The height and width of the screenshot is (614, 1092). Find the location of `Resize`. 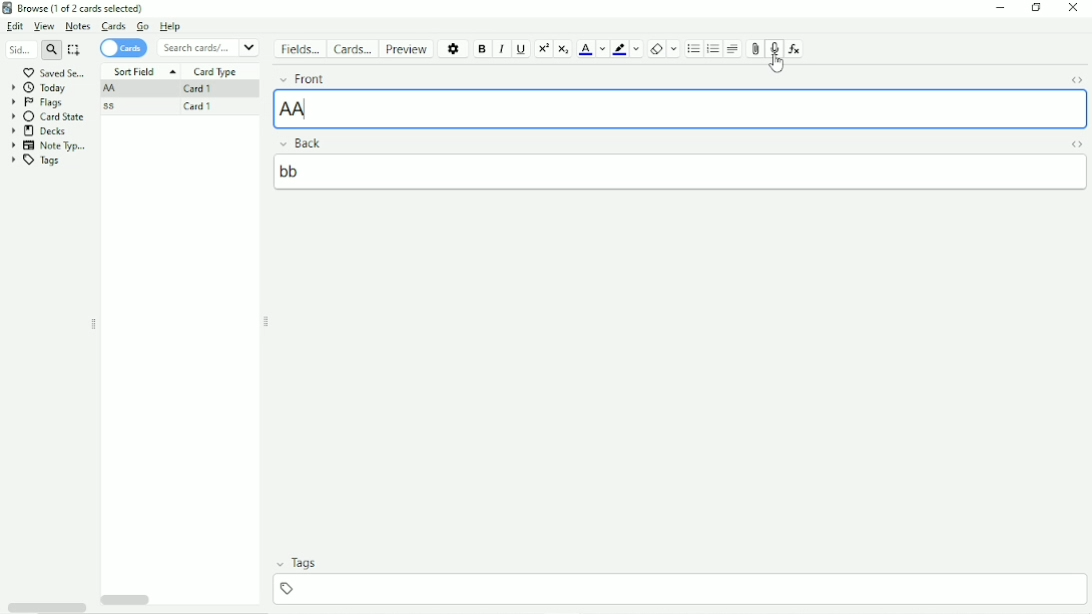

Resize is located at coordinates (267, 322).